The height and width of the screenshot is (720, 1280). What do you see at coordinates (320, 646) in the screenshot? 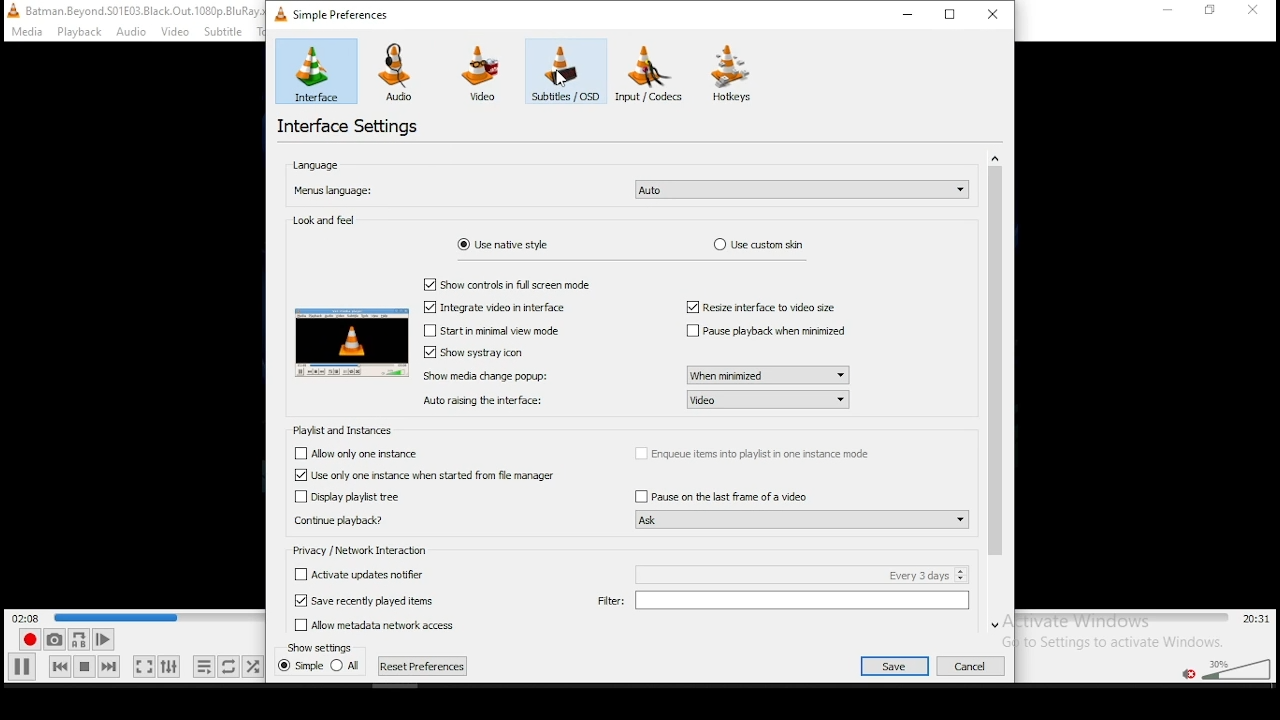
I see `` at bounding box center [320, 646].